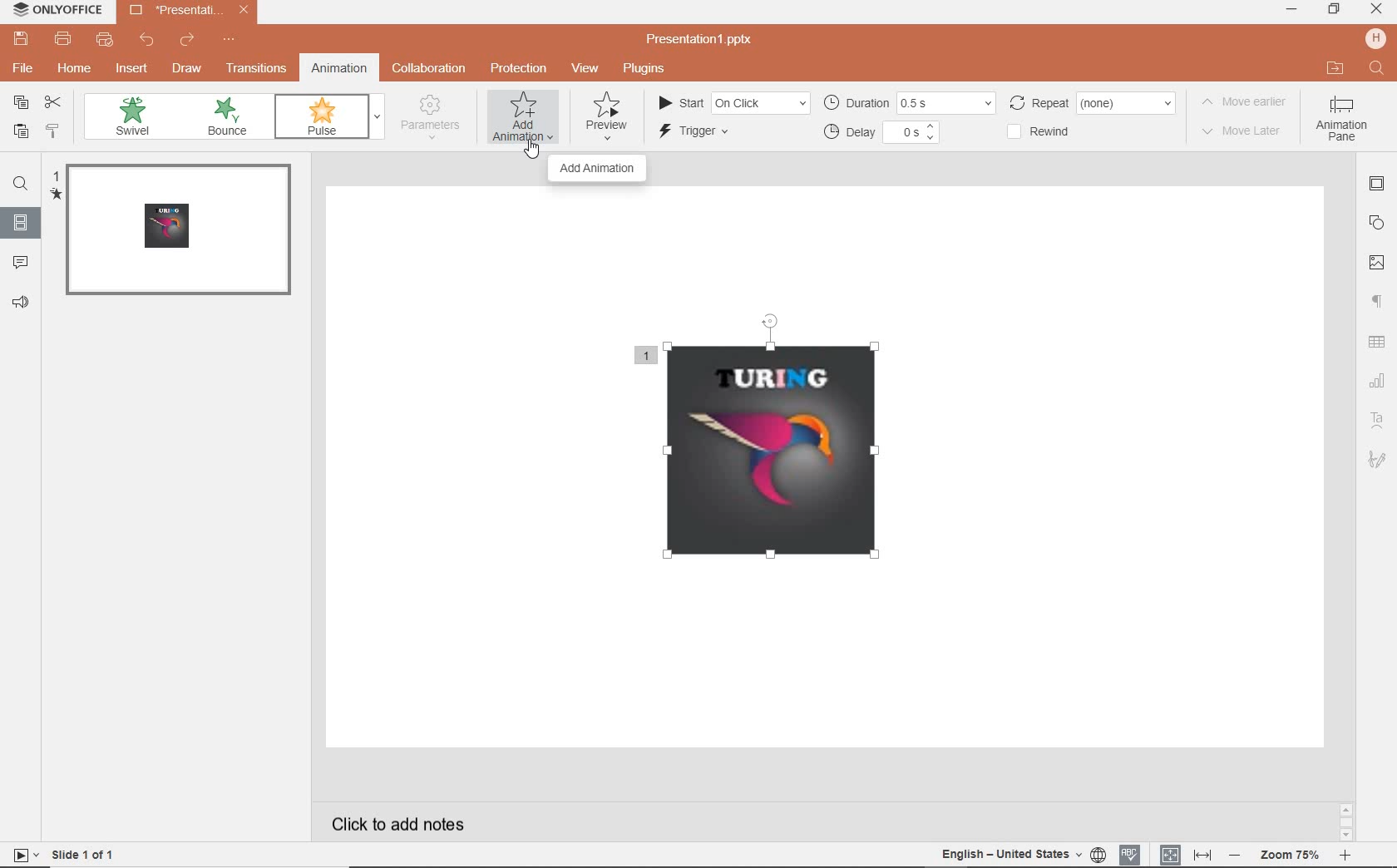 The height and width of the screenshot is (868, 1397). I want to click on save, so click(21, 38).